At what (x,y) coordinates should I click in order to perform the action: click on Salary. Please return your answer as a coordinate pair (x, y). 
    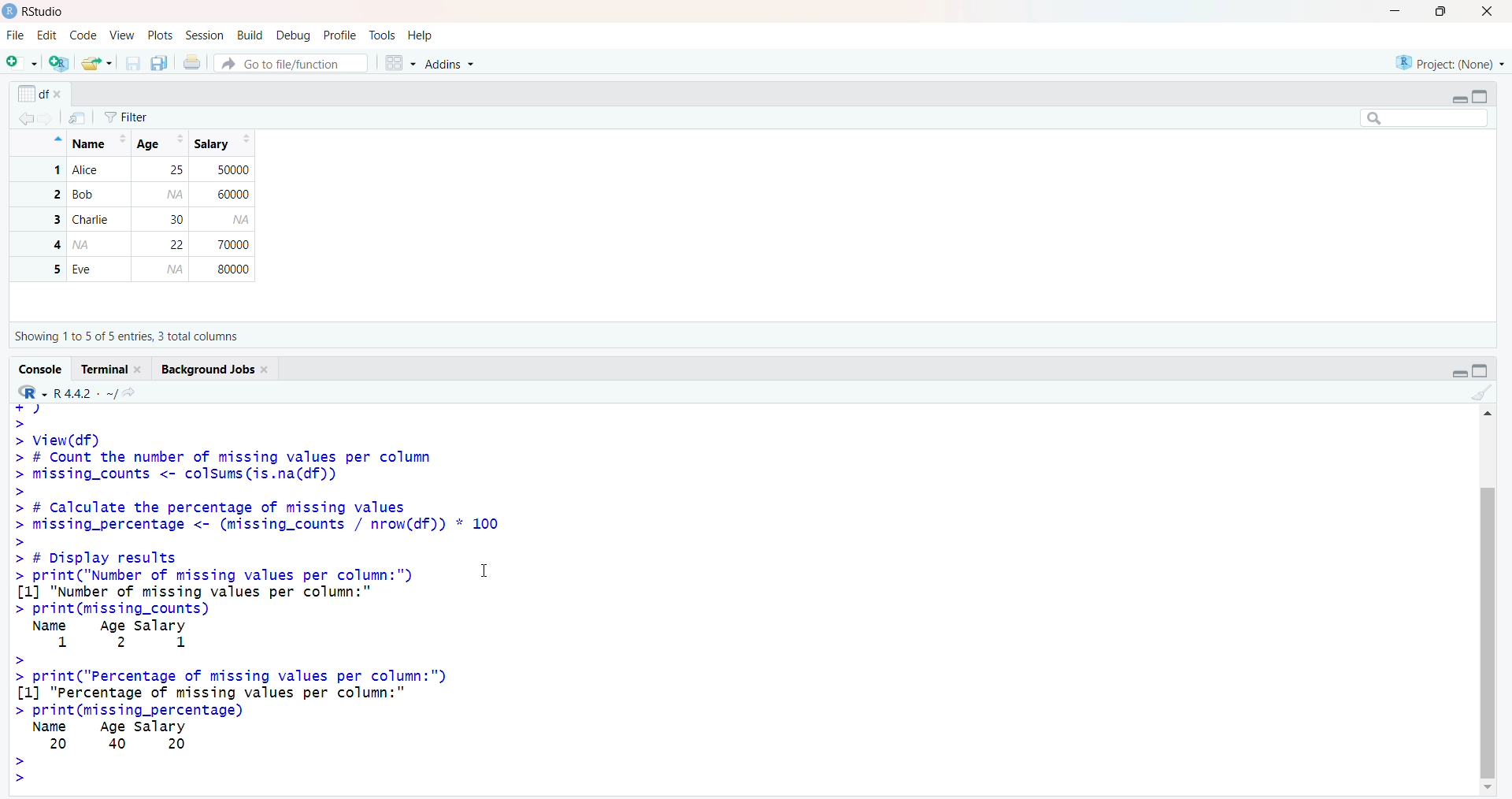
    Looking at the image, I should click on (221, 144).